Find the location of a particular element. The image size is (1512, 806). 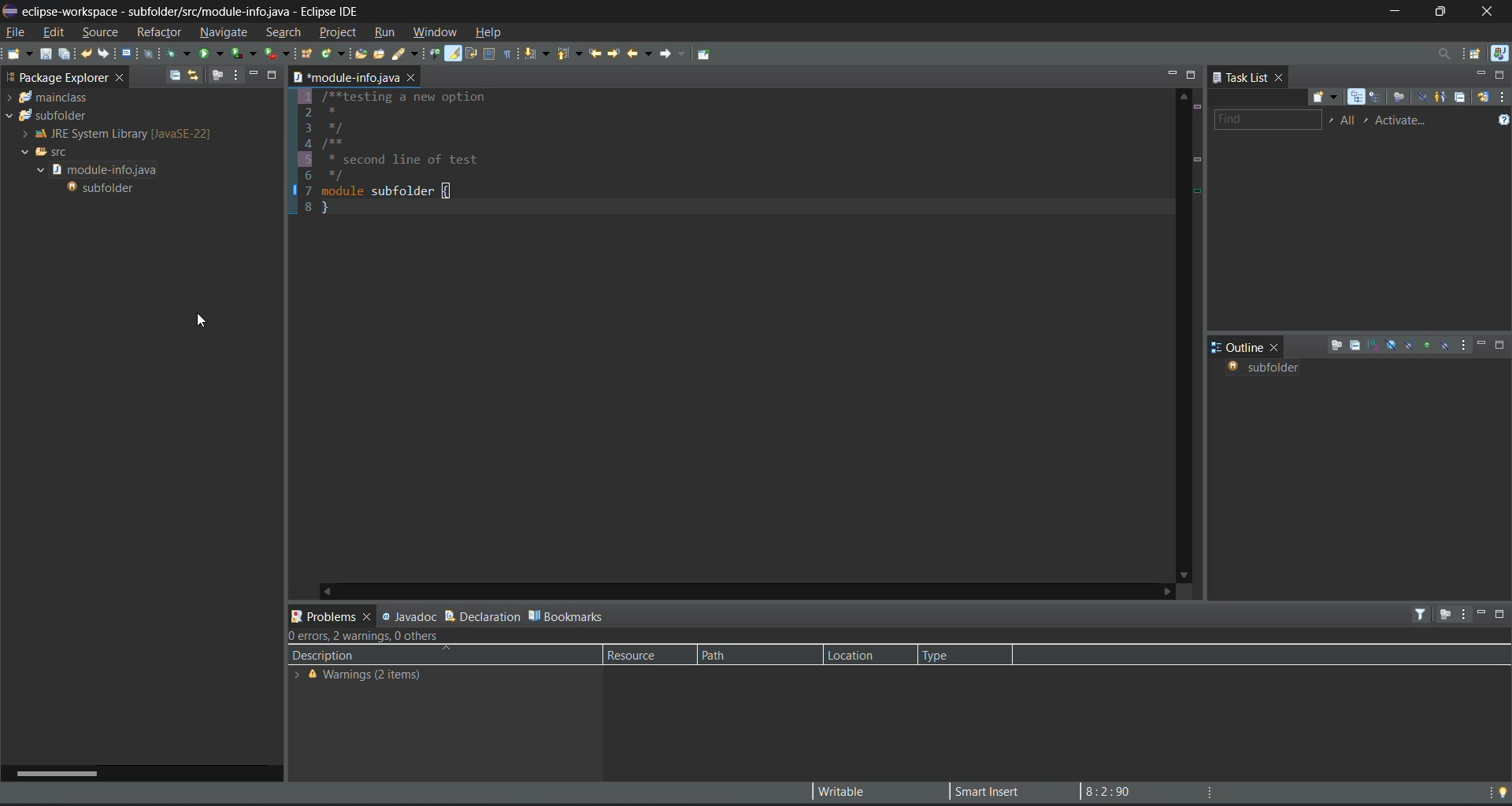

subfolder is located at coordinates (104, 187).